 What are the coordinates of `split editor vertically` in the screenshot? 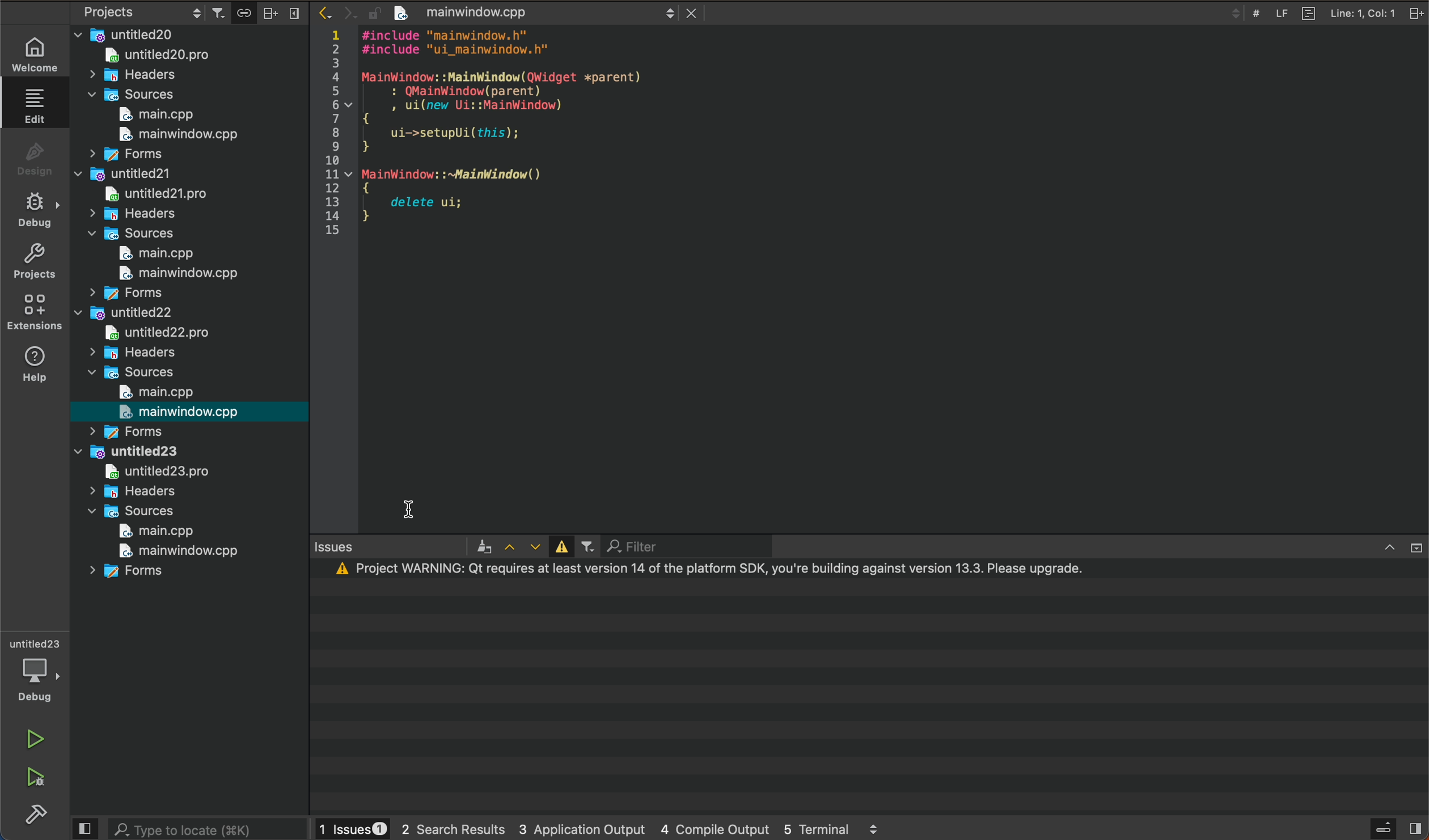 It's located at (293, 11).